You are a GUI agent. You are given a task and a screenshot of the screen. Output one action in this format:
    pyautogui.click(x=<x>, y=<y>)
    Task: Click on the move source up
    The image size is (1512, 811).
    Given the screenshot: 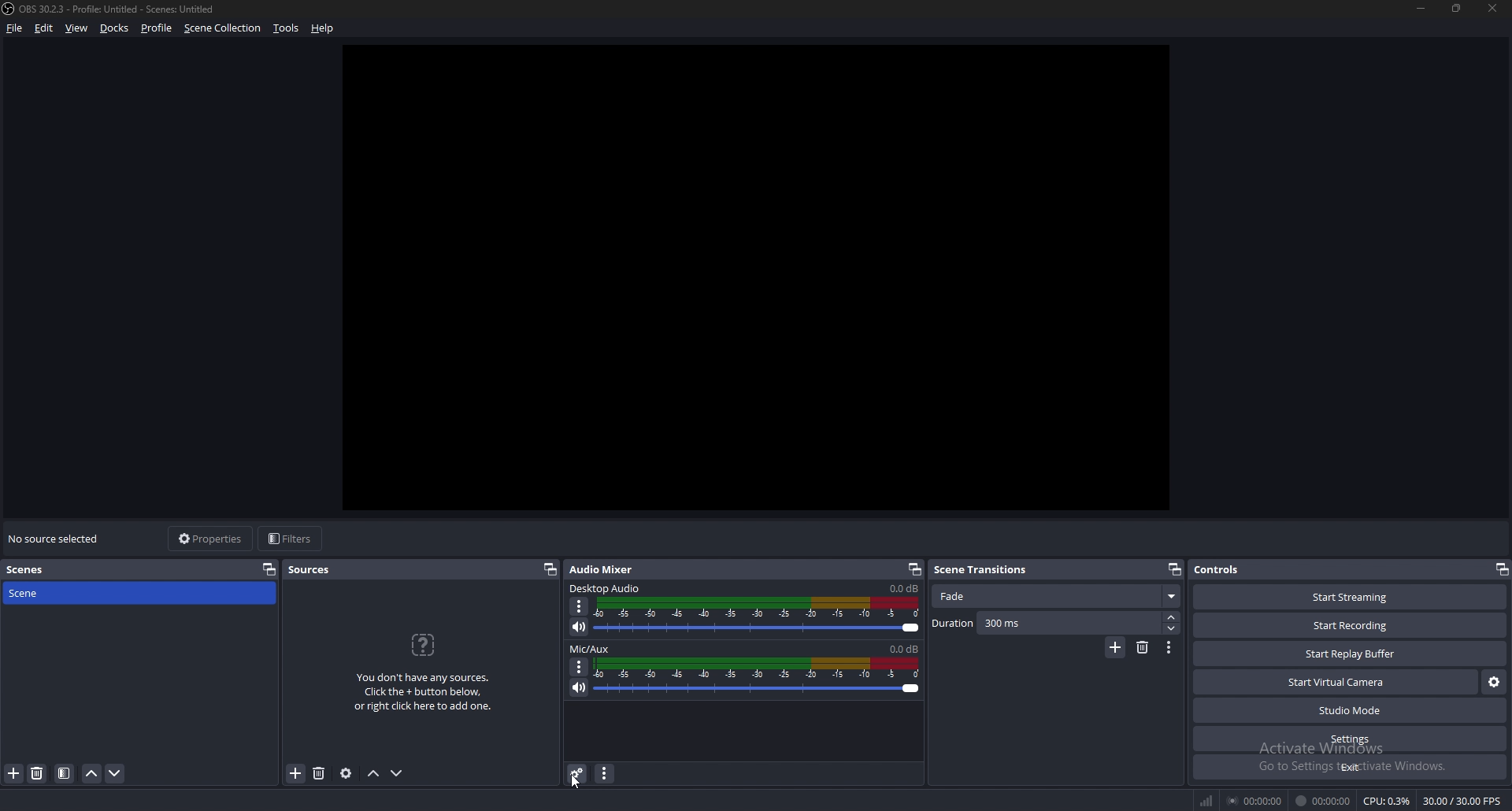 What is the action you would take?
    pyautogui.click(x=376, y=773)
    